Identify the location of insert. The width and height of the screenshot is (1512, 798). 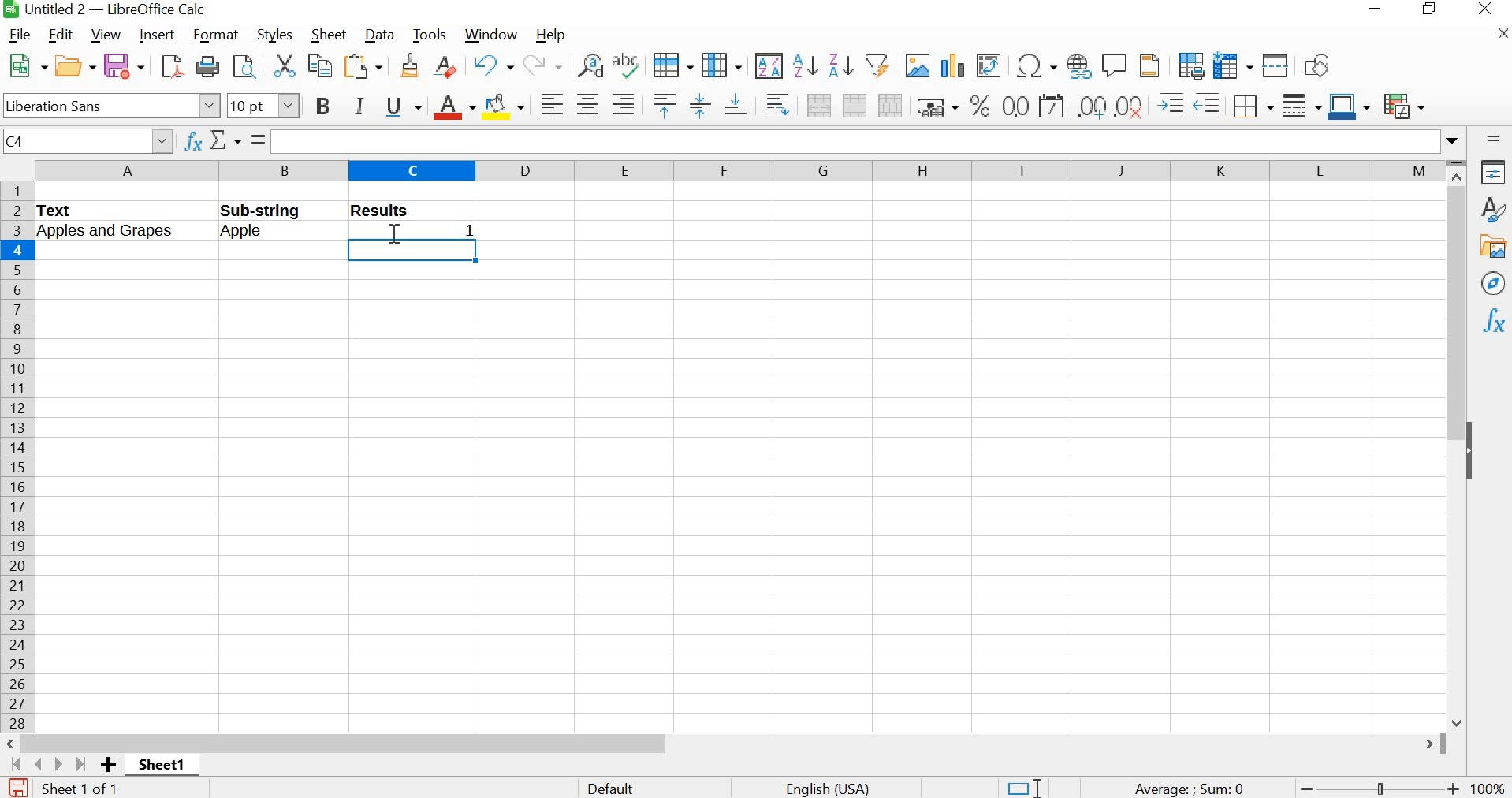
(158, 35).